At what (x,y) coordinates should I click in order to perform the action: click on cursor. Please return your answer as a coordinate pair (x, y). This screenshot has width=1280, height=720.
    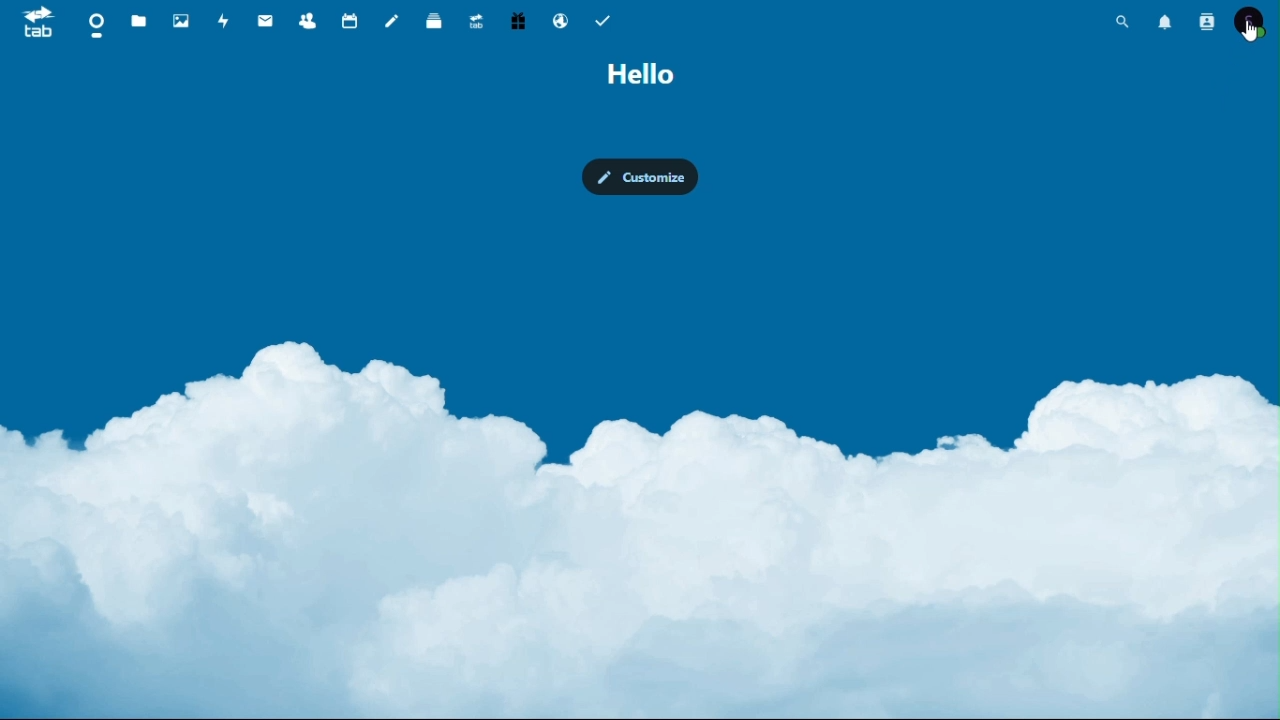
    Looking at the image, I should click on (1249, 30).